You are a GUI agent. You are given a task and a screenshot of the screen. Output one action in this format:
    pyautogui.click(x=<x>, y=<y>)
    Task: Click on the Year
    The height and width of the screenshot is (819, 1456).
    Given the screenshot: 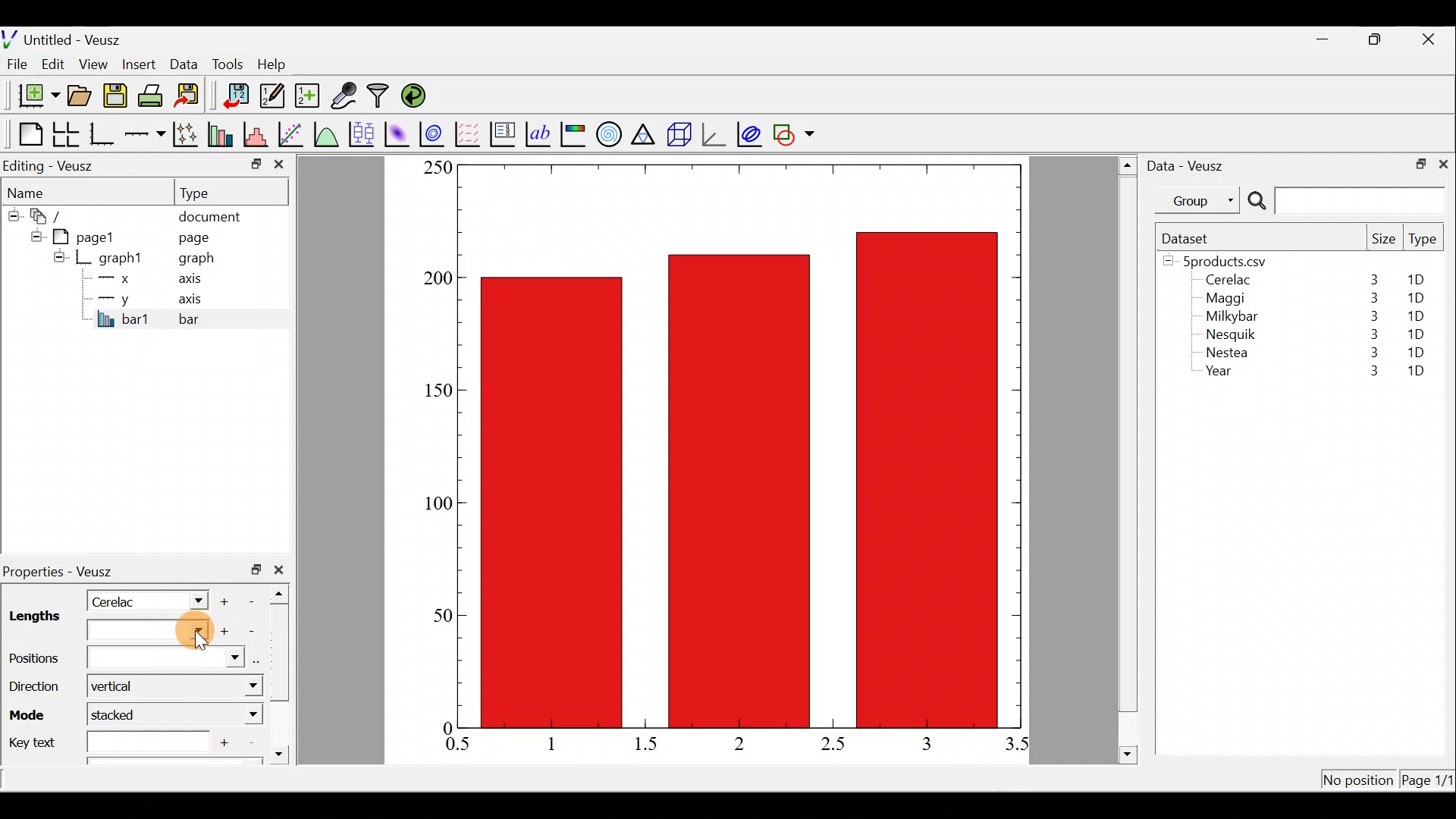 What is the action you would take?
    pyautogui.click(x=1222, y=375)
    